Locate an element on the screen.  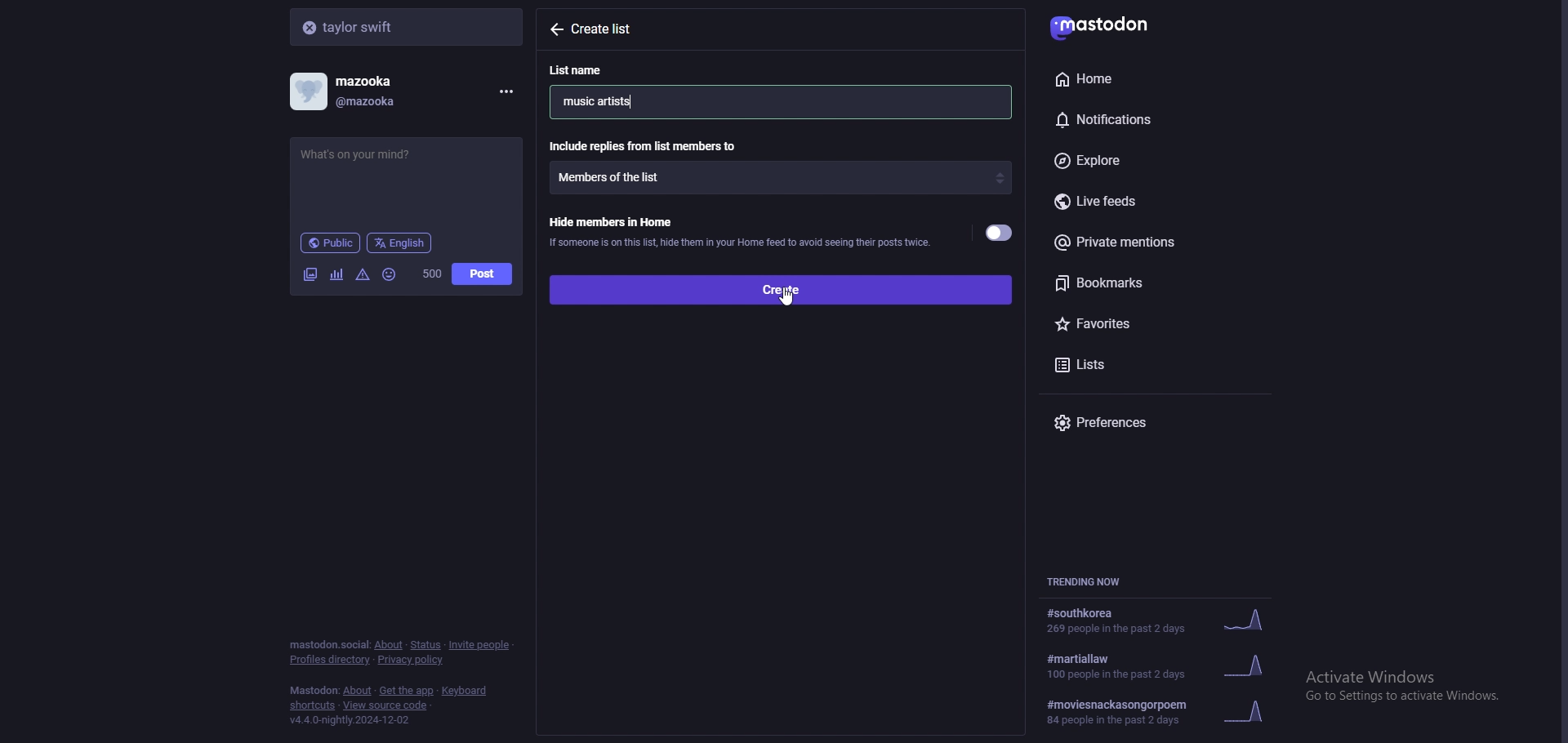
list name is located at coordinates (586, 69).